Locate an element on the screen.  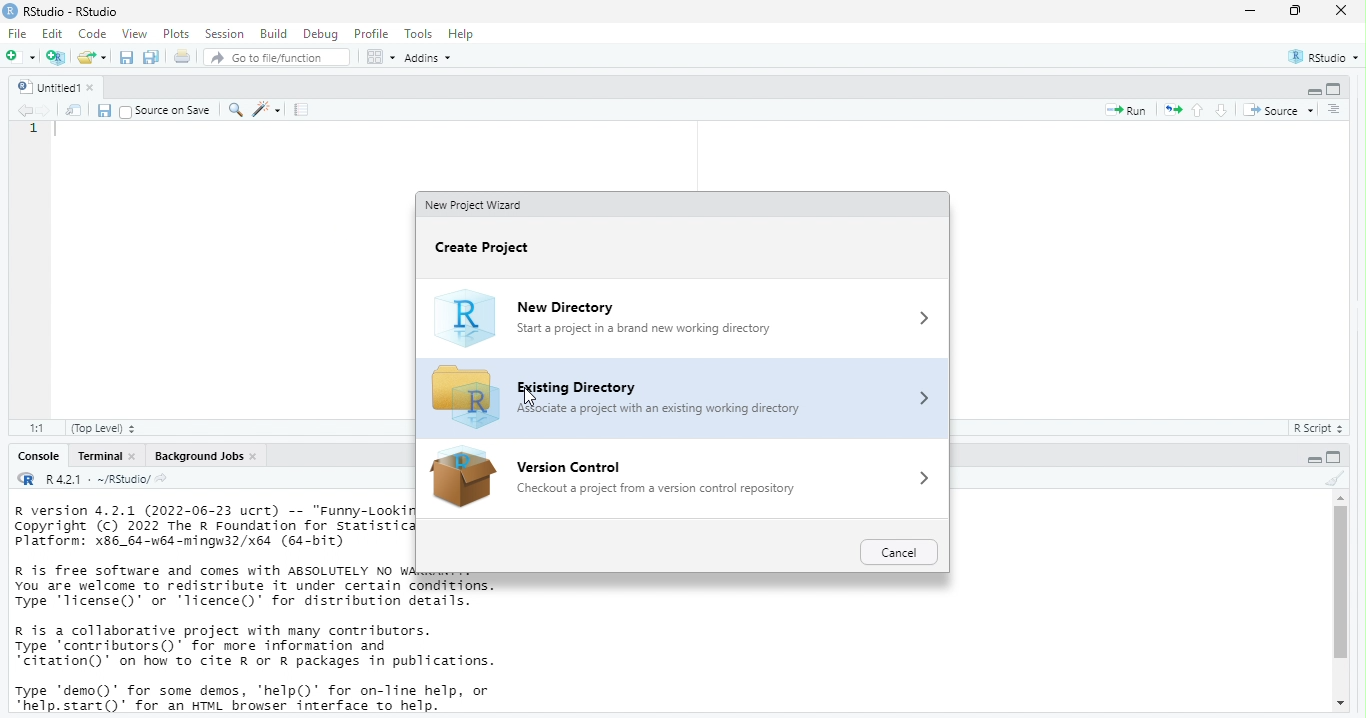
run the current line or selection is located at coordinates (1128, 111).